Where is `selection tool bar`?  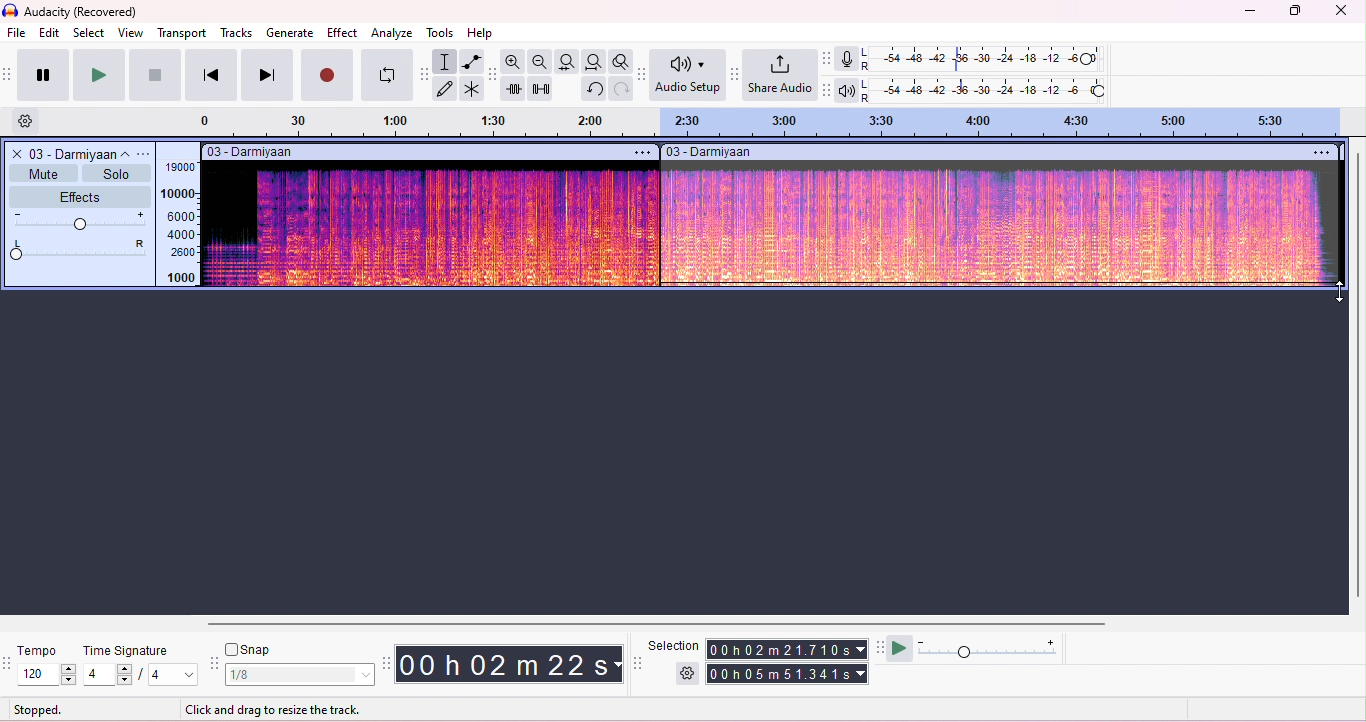
selection tool bar is located at coordinates (637, 662).